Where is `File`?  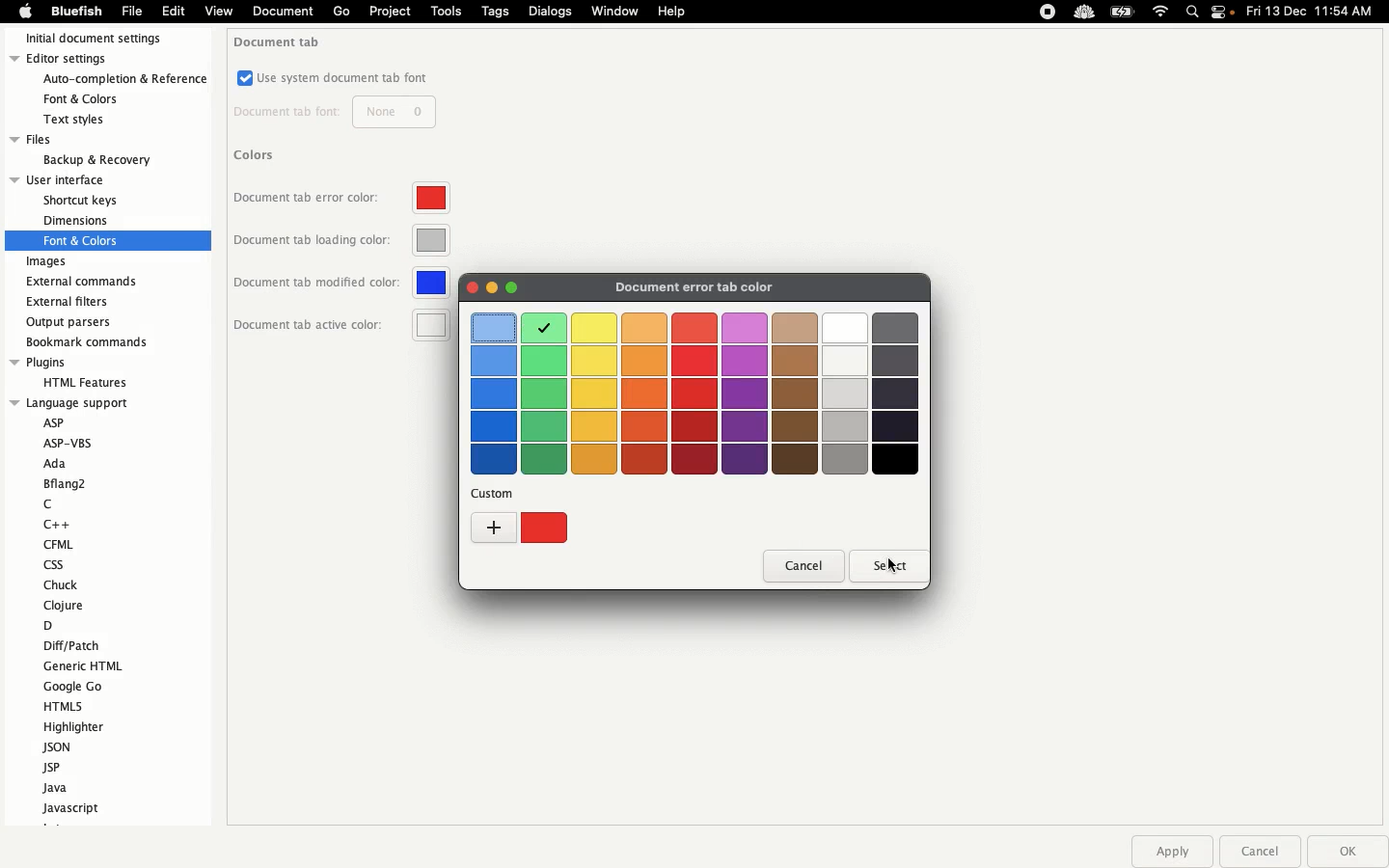
File is located at coordinates (132, 11).